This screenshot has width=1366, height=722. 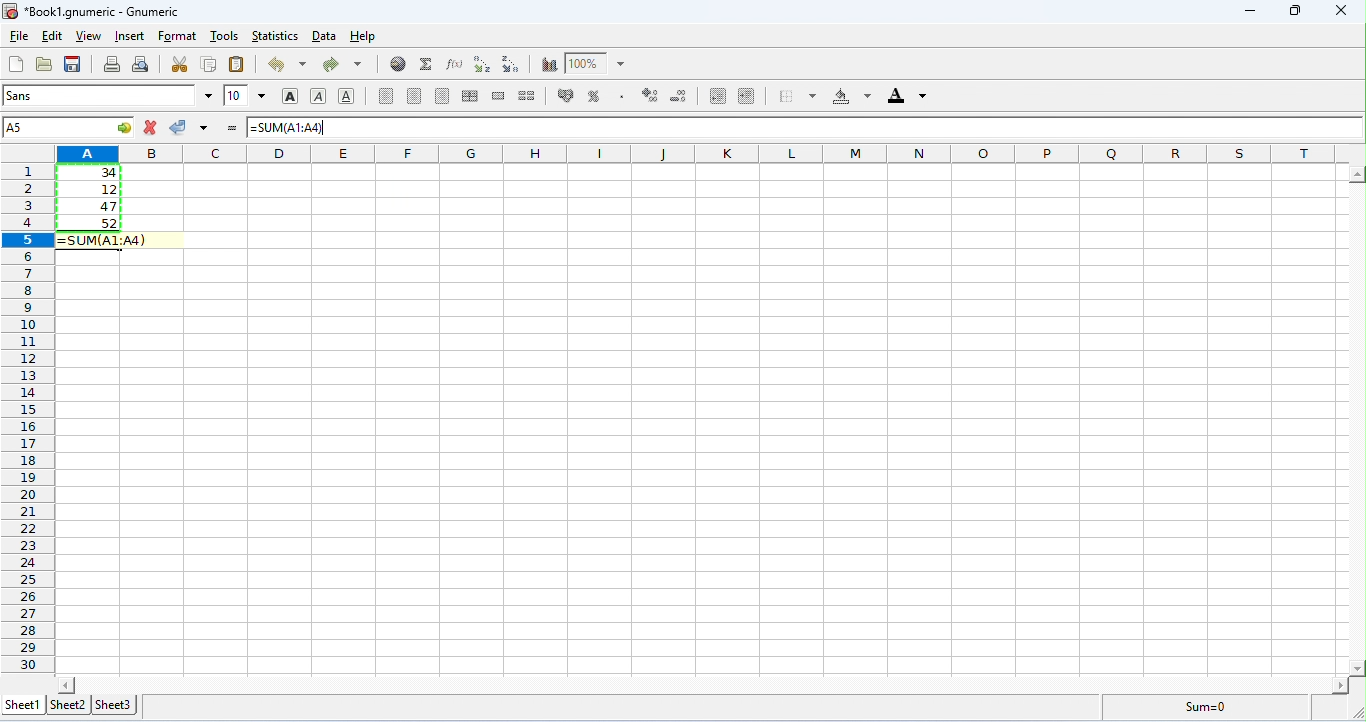 I want to click on paste, so click(x=238, y=64).